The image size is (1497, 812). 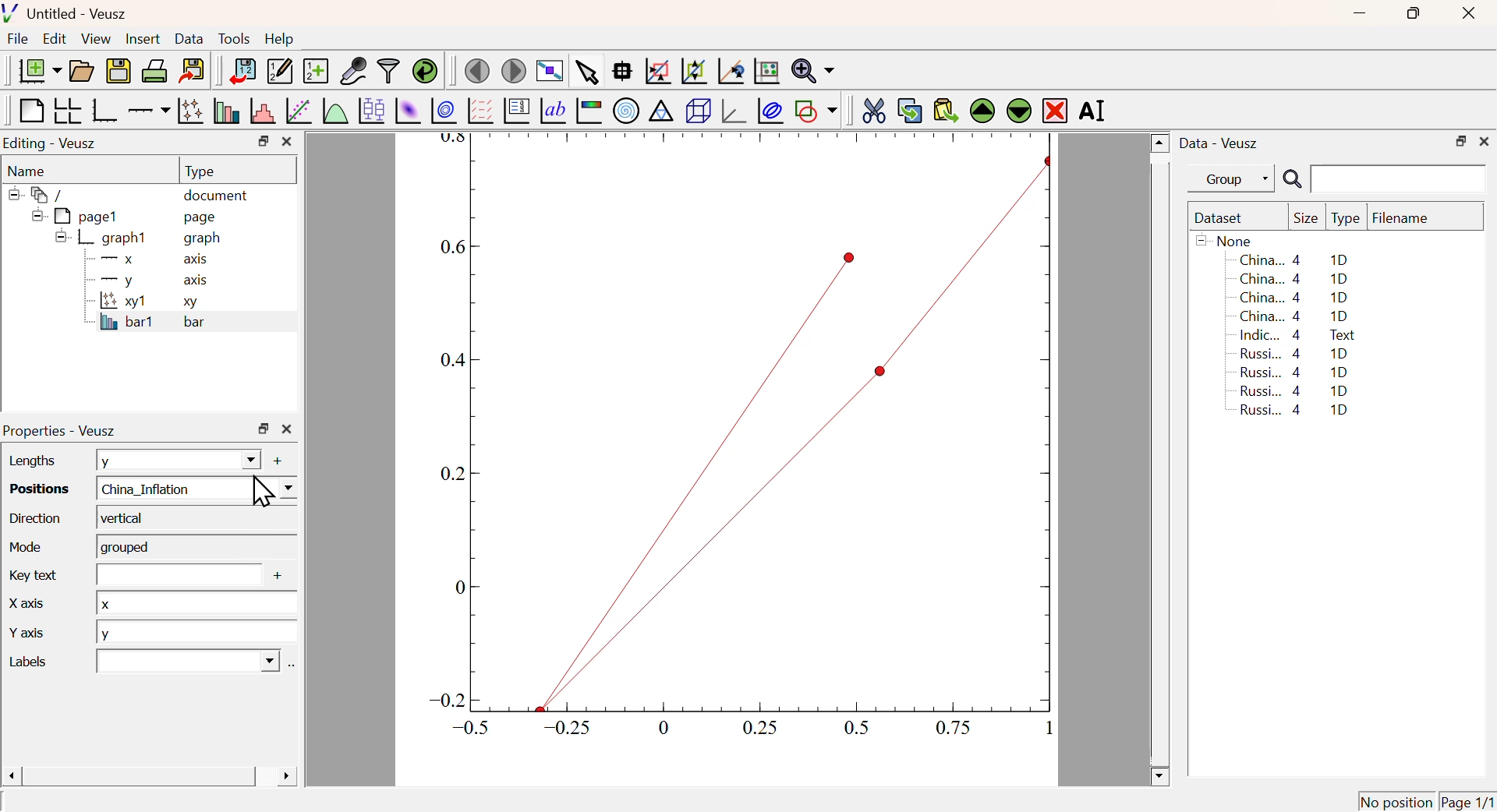 What do you see at coordinates (103, 237) in the screenshot?
I see `graph1` at bounding box center [103, 237].